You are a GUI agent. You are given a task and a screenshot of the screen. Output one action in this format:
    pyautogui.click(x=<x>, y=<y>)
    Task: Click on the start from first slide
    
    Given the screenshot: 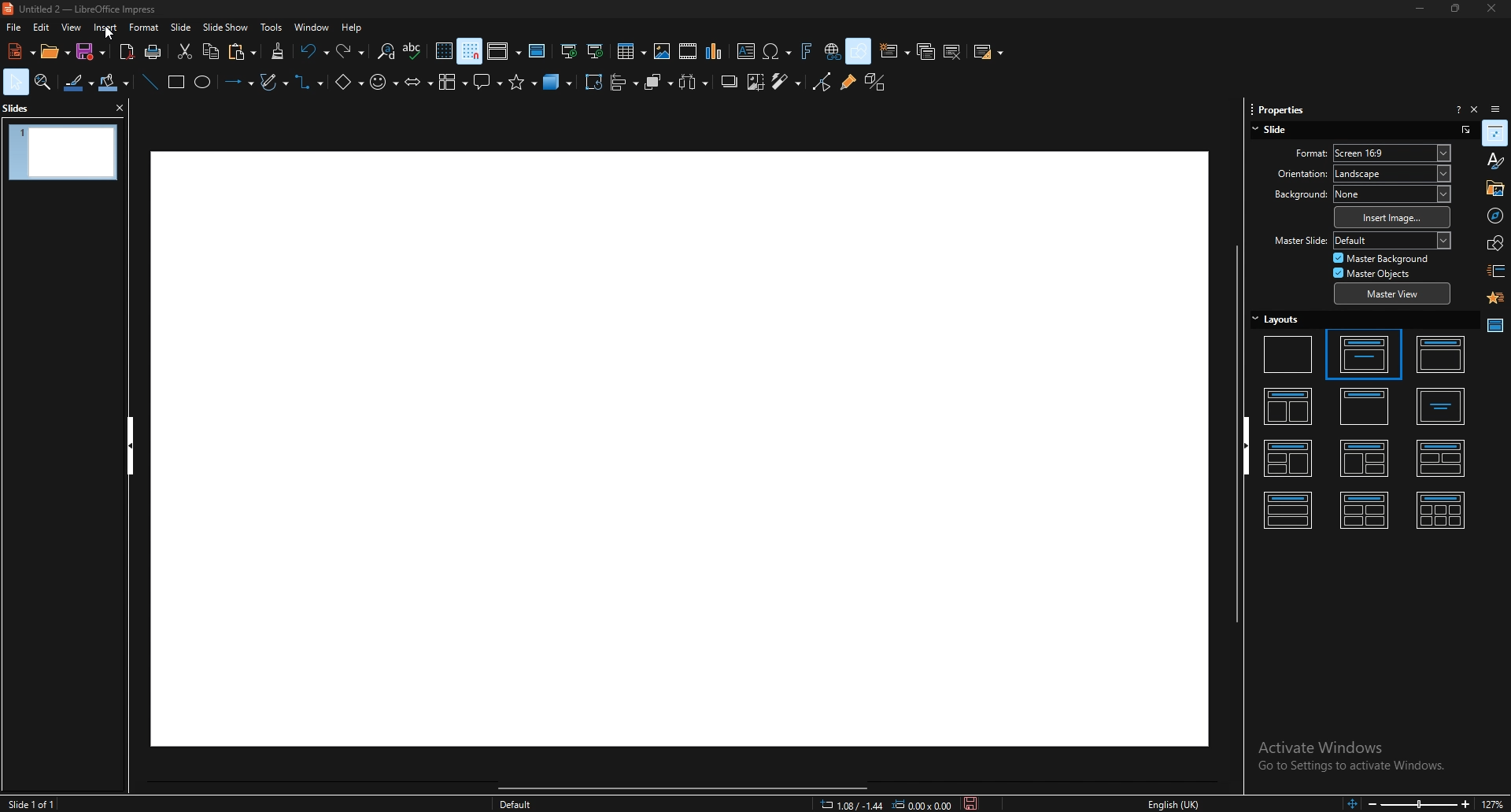 What is the action you would take?
    pyautogui.click(x=571, y=51)
    